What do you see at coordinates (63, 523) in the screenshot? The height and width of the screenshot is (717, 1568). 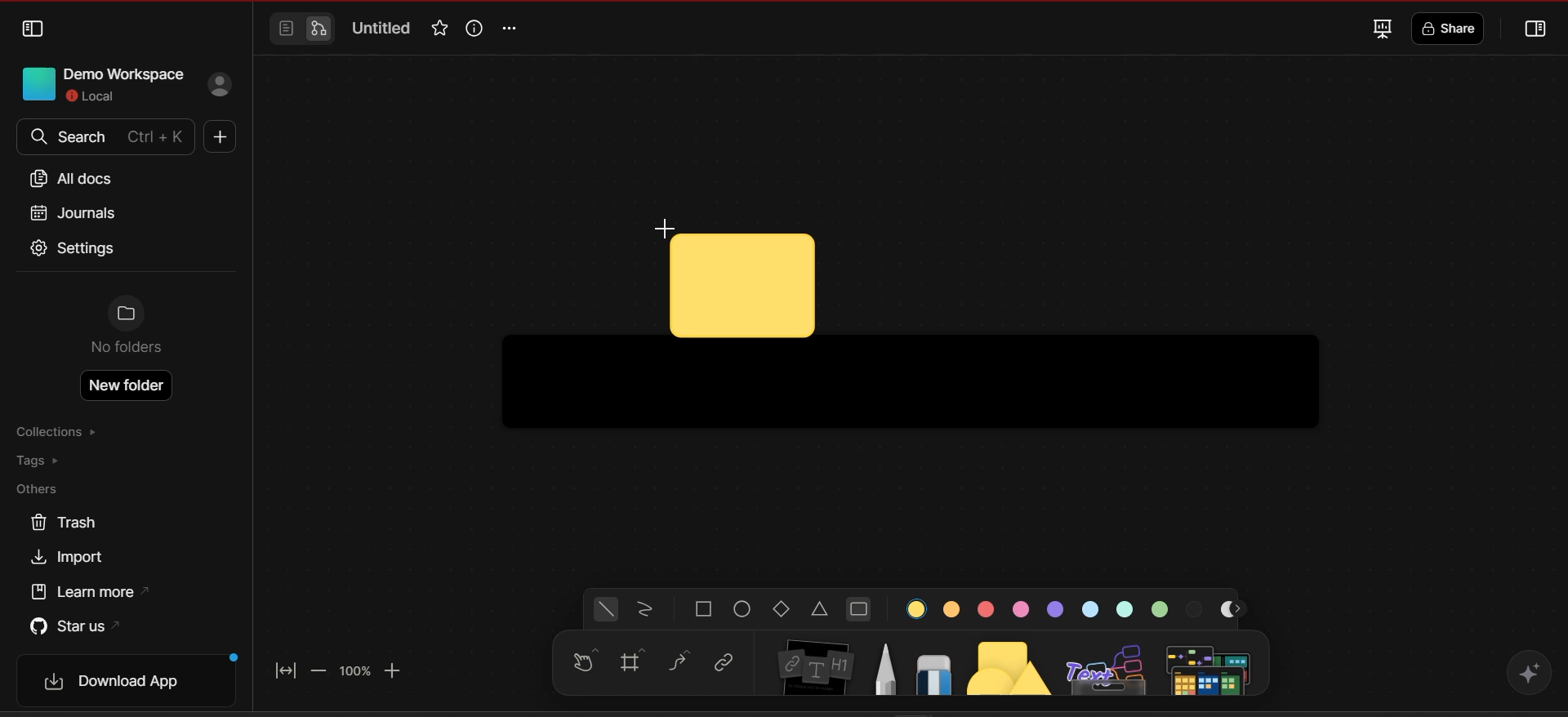 I see `trash` at bounding box center [63, 523].